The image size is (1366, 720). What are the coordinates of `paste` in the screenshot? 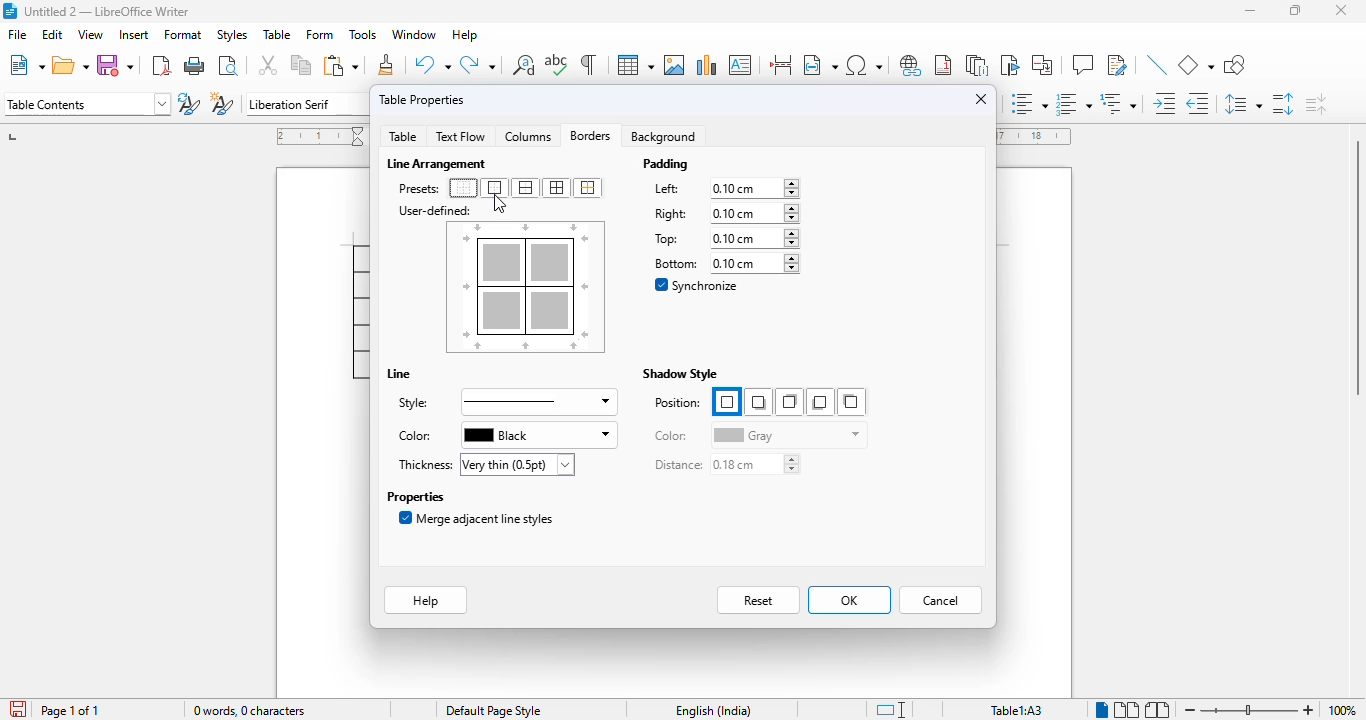 It's located at (341, 65).